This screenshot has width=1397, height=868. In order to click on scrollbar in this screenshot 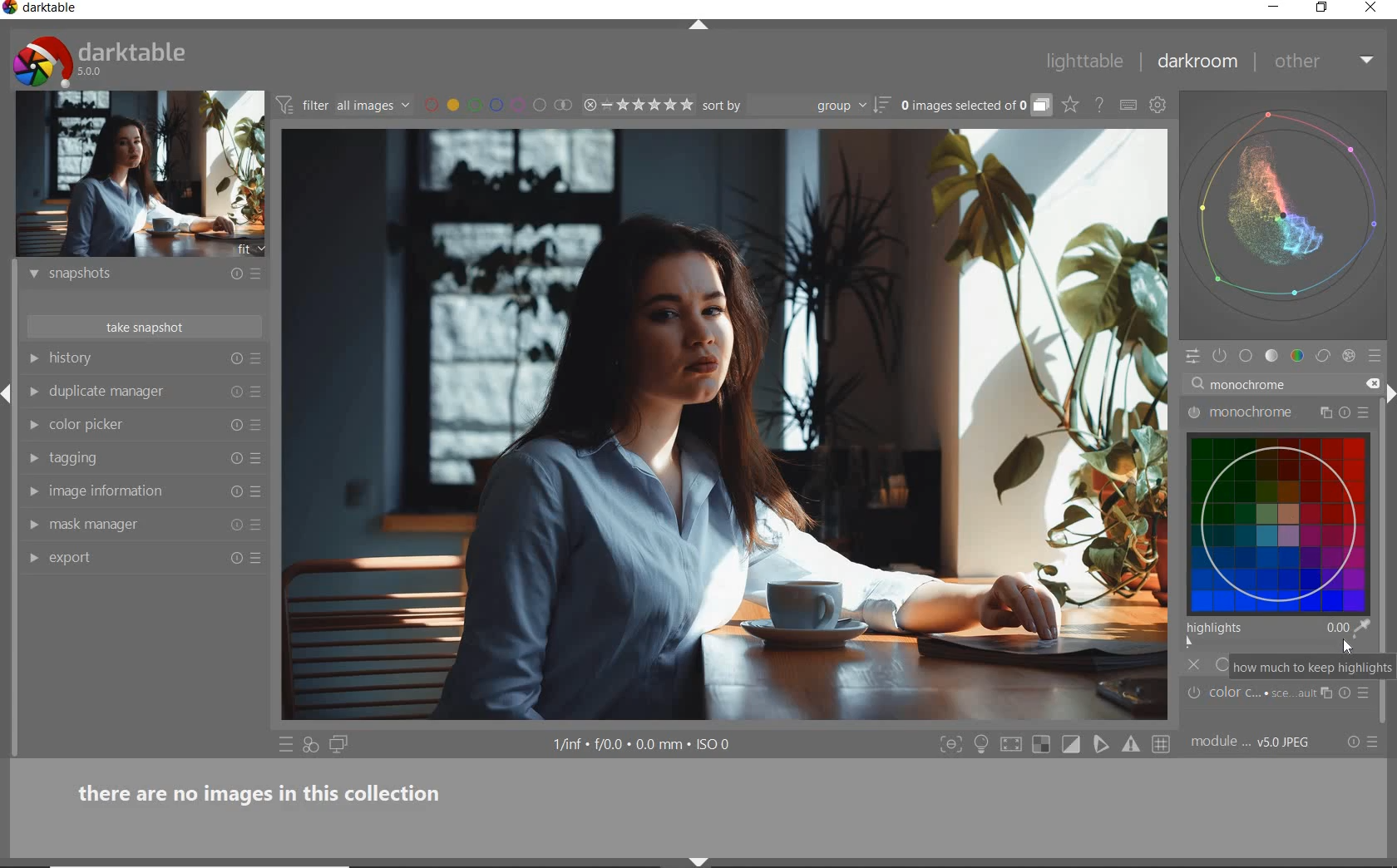, I will do `click(1389, 492)`.